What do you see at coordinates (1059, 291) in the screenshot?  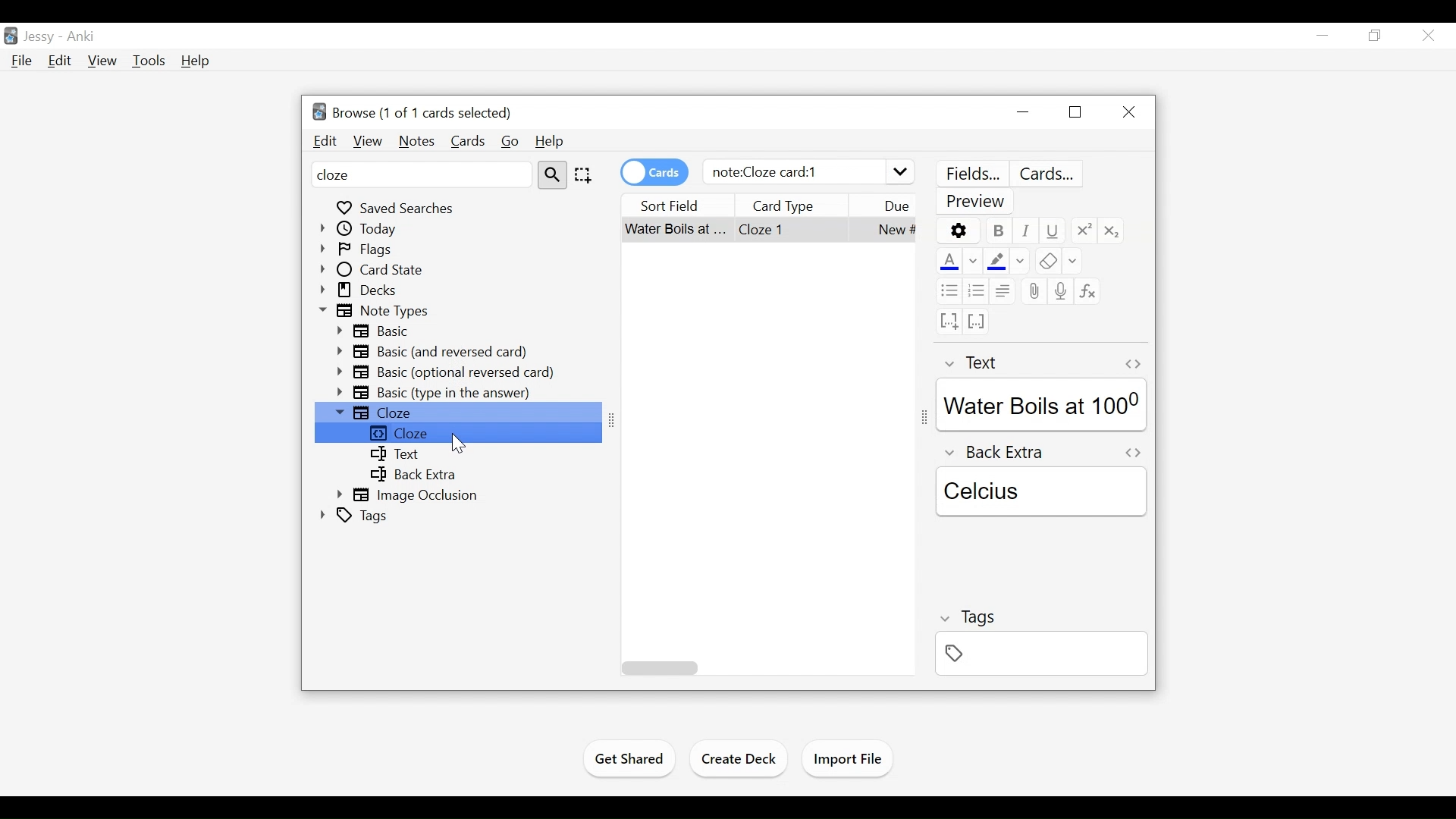 I see `Record Audio` at bounding box center [1059, 291].